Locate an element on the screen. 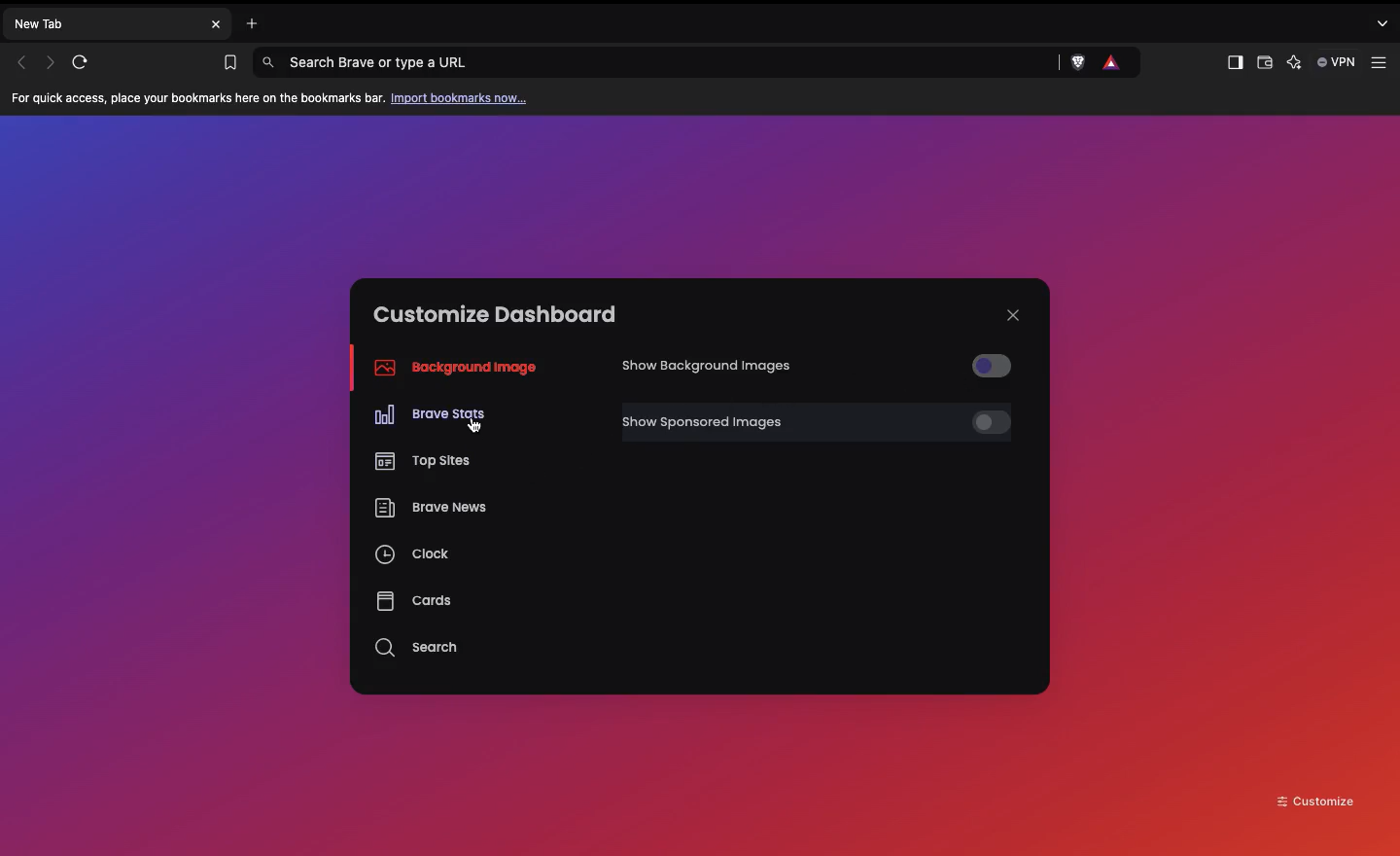 This screenshot has height=856, width=1400. Brave news is located at coordinates (429, 510).